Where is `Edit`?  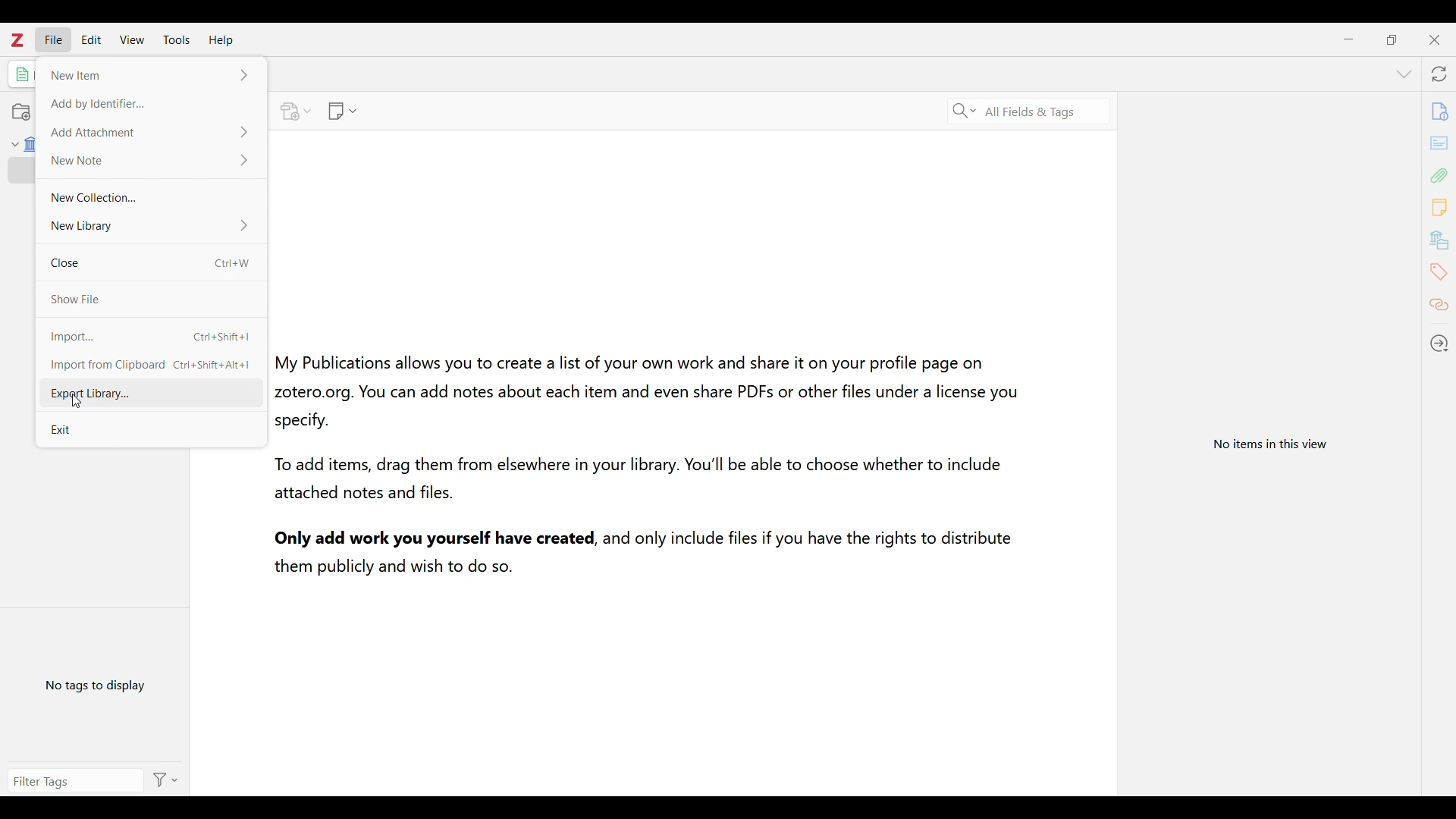 Edit is located at coordinates (91, 39).